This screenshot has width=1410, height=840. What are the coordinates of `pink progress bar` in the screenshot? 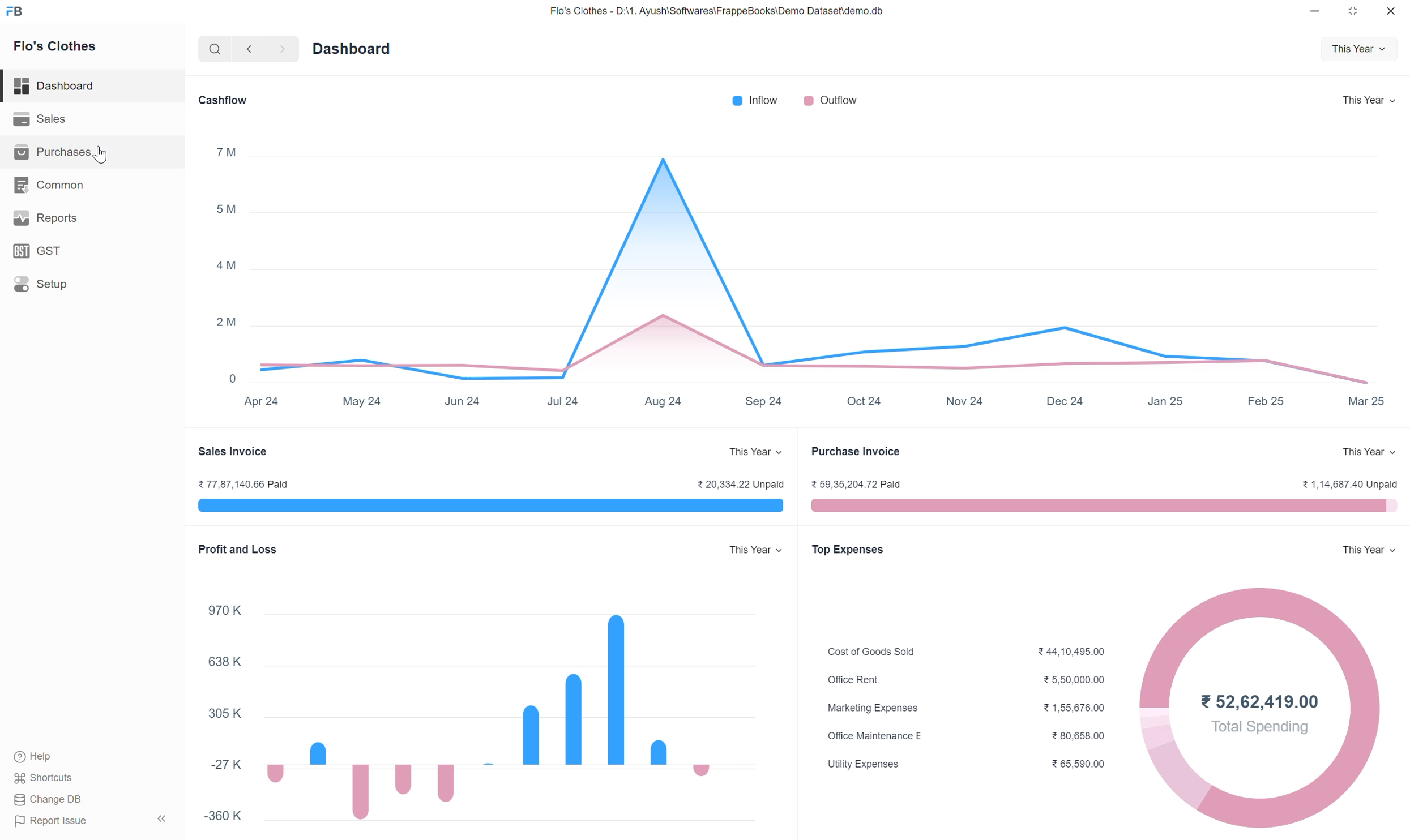 It's located at (1104, 506).